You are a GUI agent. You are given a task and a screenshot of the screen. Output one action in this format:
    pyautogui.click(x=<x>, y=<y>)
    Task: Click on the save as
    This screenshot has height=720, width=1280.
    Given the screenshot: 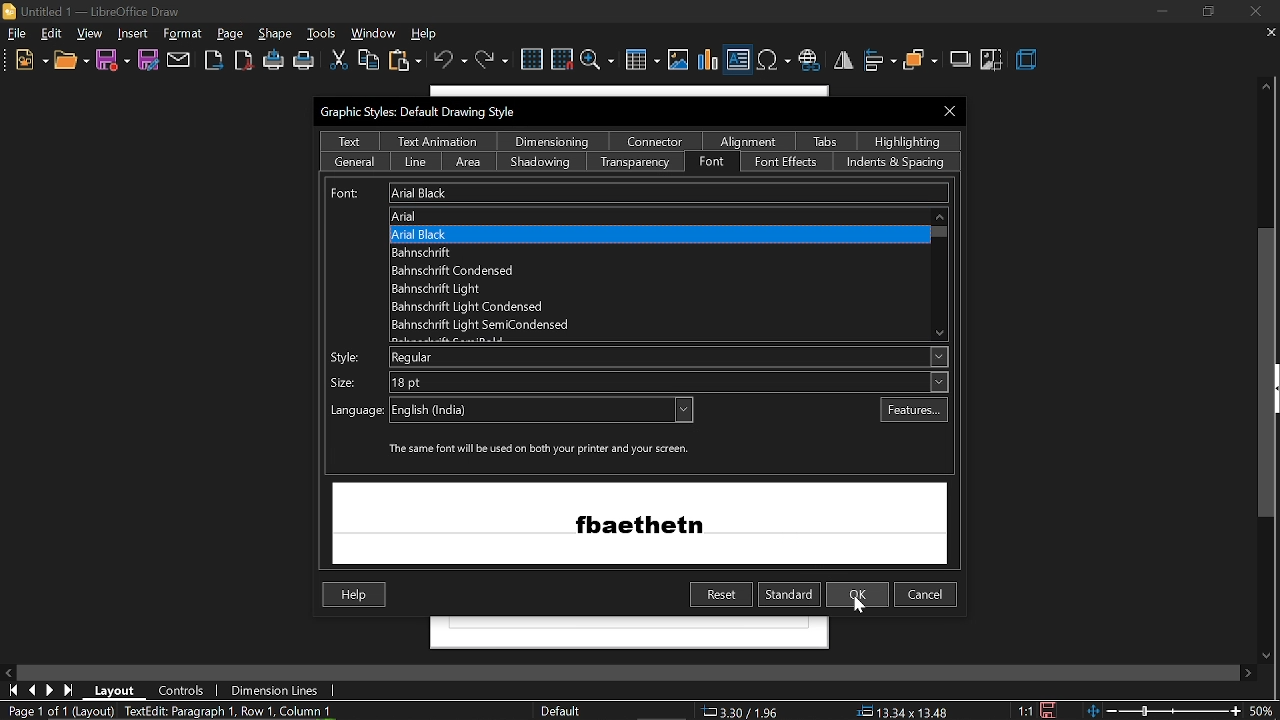 What is the action you would take?
    pyautogui.click(x=146, y=59)
    